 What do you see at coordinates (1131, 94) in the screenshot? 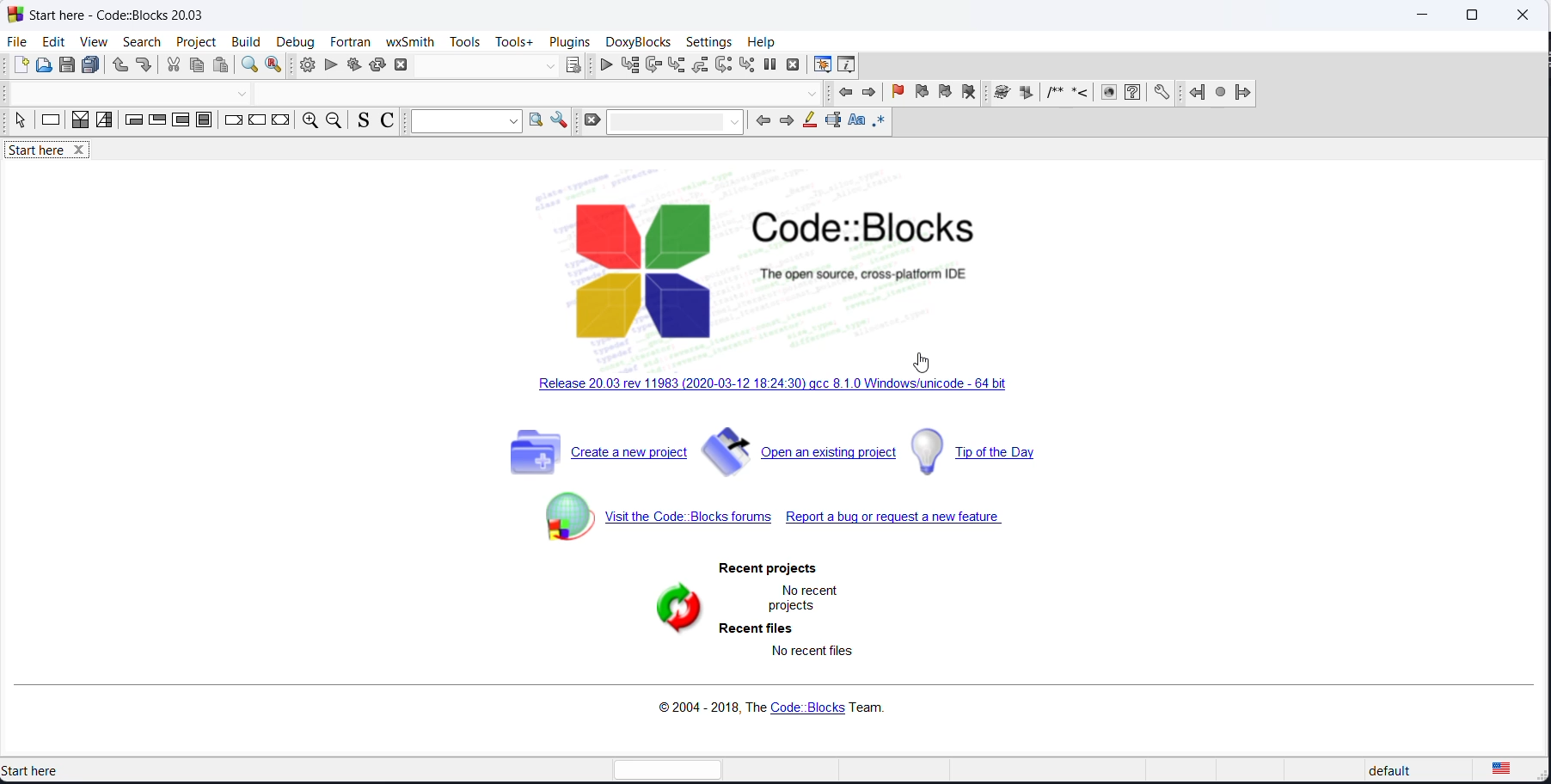
I see `questions` at bounding box center [1131, 94].